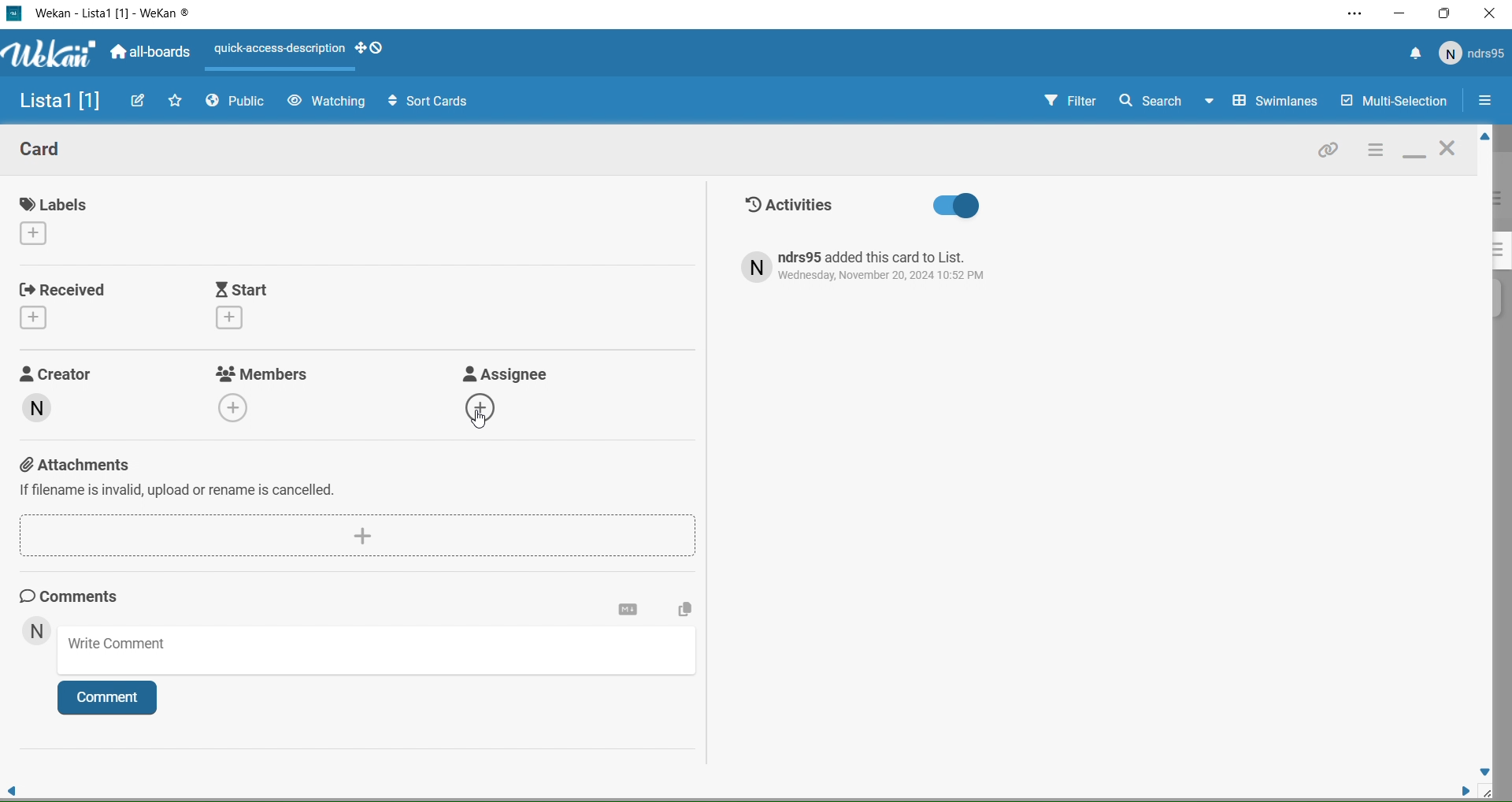 The width and height of the screenshot is (1512, 802). What do you see at coordinates (1392, 102) in the screenshot?
I see `Multi Selection` at bounding box center [1392, 102].